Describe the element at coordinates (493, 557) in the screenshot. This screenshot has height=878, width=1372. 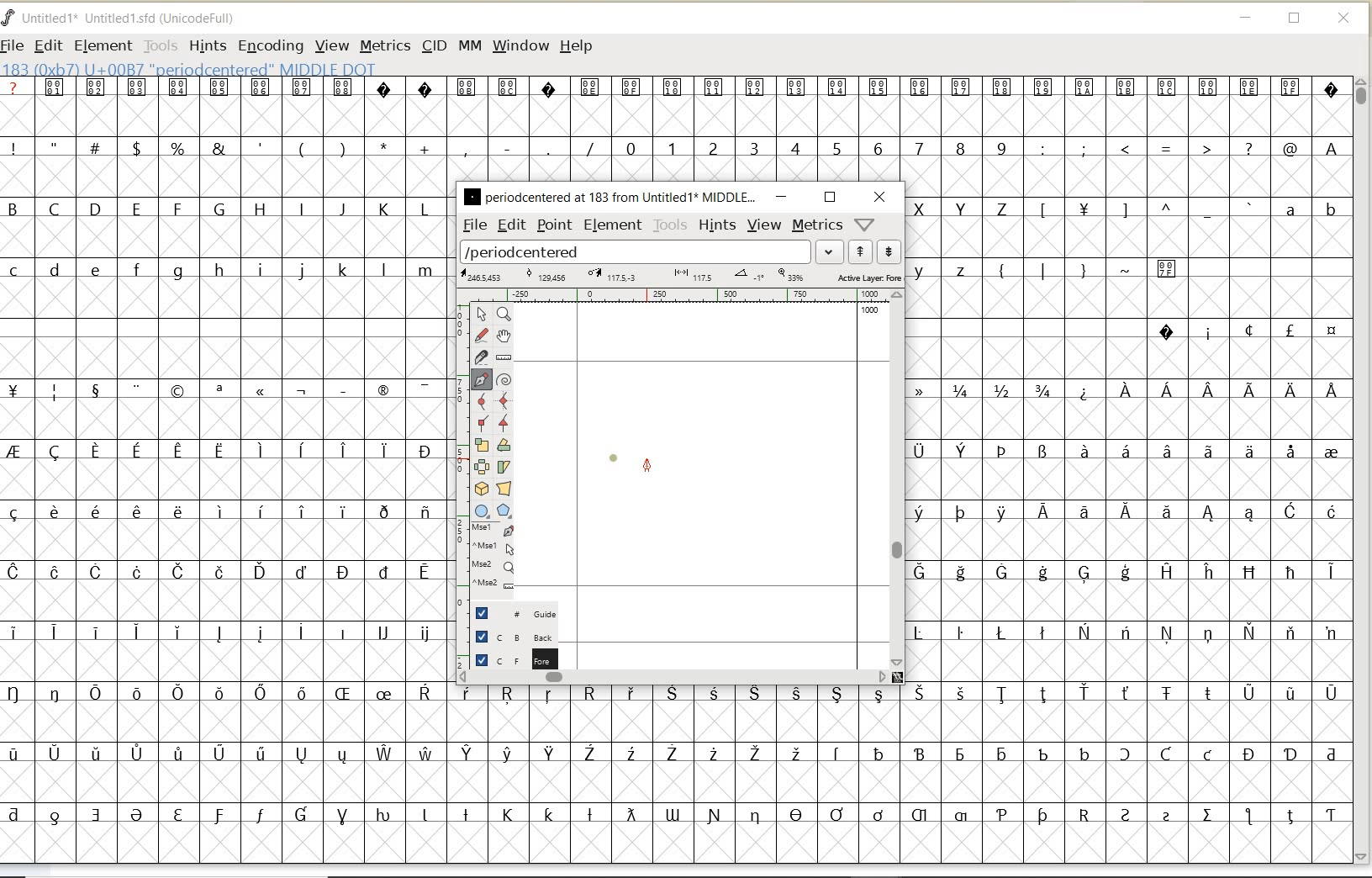
I see `cursor events on the opened outline window` at that location.